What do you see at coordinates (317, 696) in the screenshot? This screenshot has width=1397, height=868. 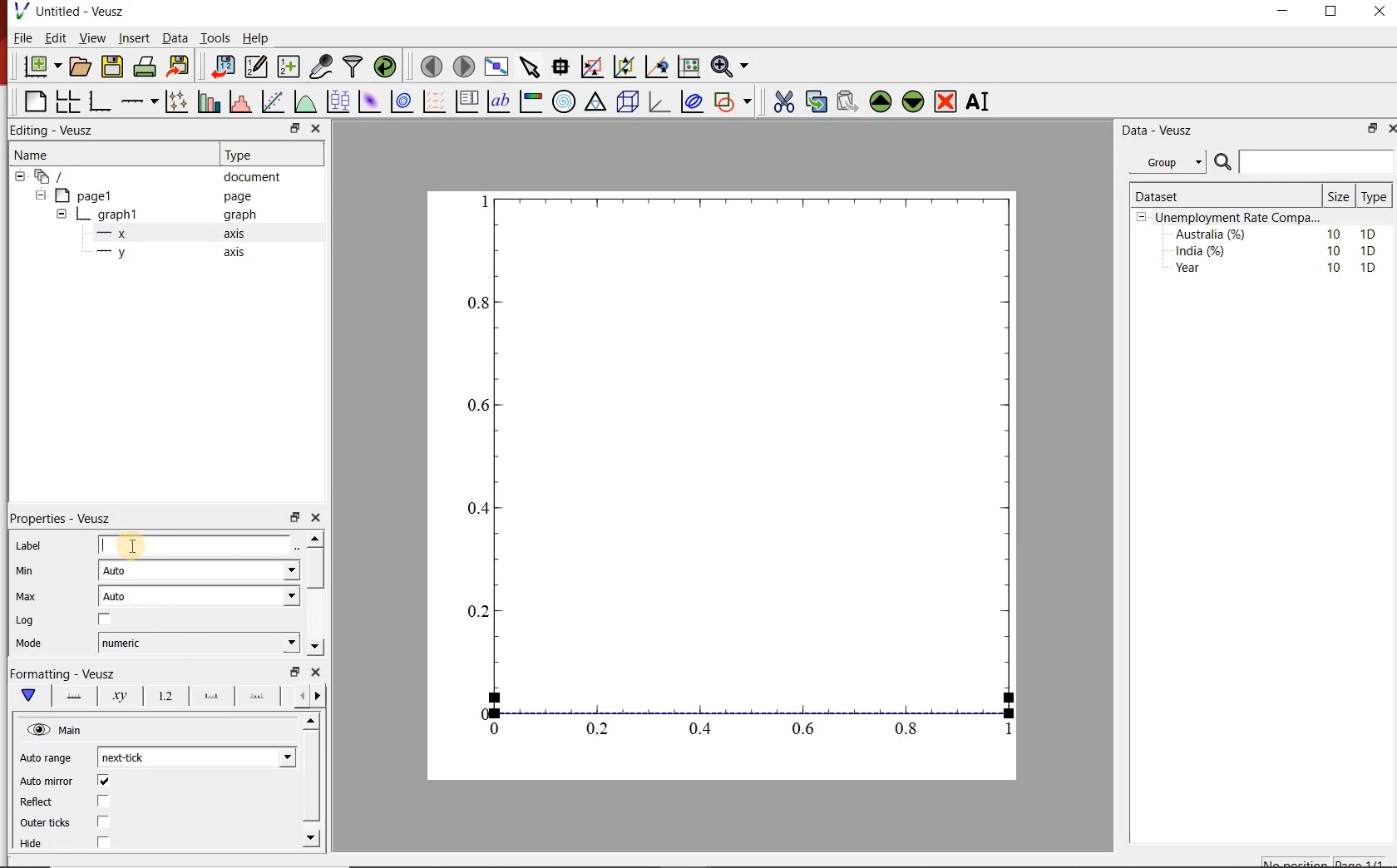 I see `move right` at bounding box center [317, 696].